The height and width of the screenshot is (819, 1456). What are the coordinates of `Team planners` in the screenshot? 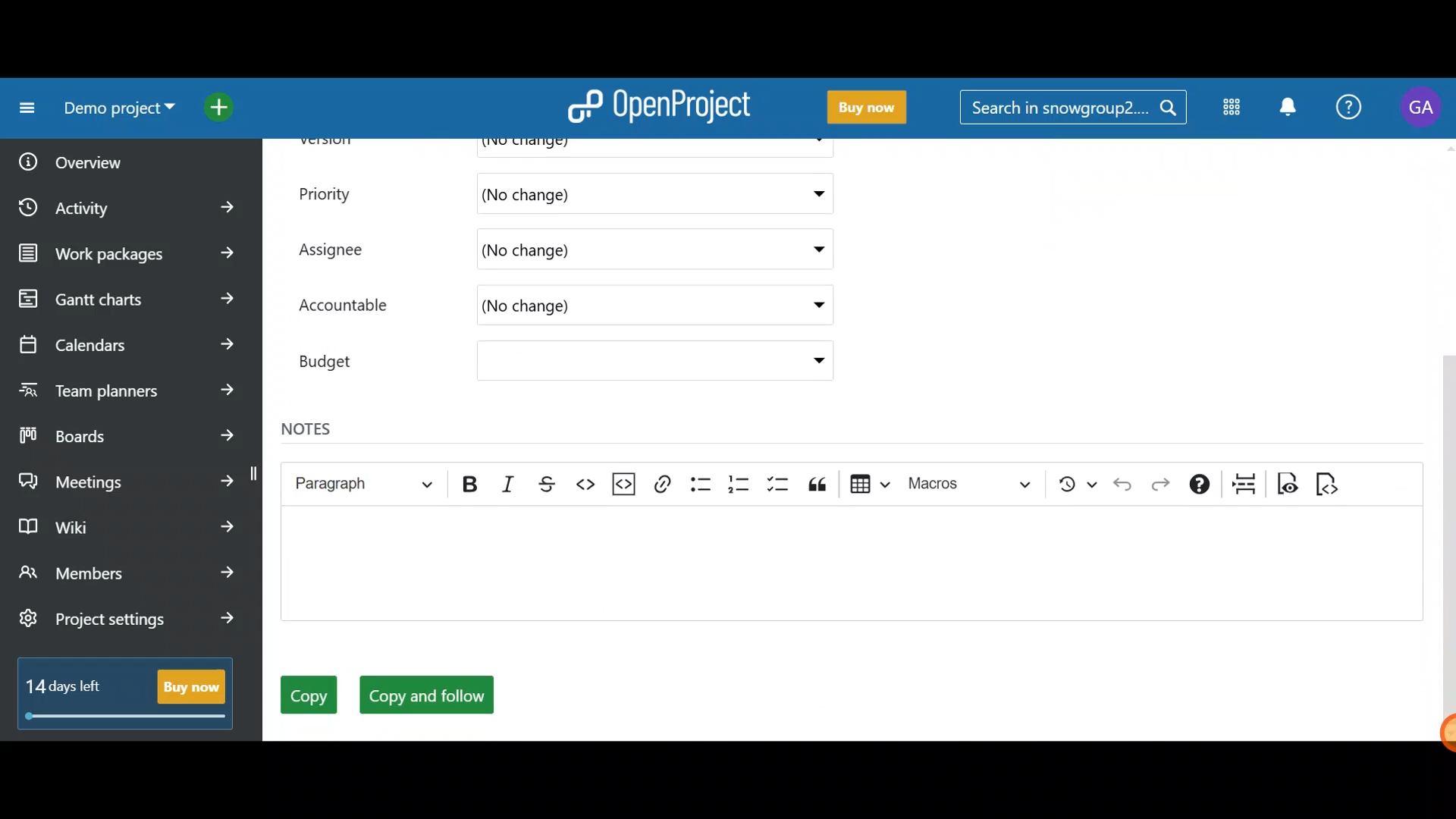 It's located at (124, 385).